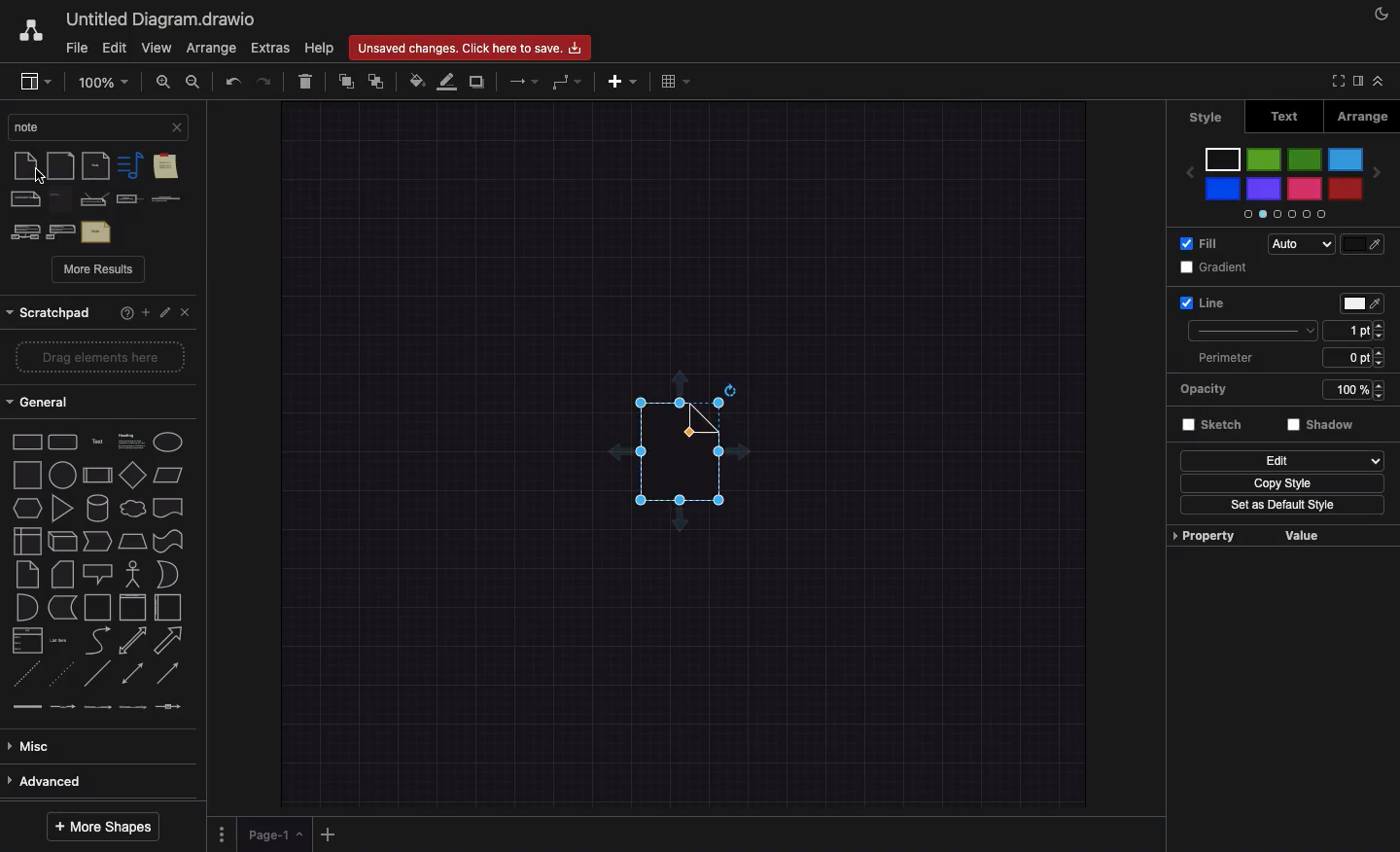 Image resolution: width=1400 pixels, height=852 pixels. Describe the element at coordinates (1303, 190) in the screenshot. I see `pink` at that location.